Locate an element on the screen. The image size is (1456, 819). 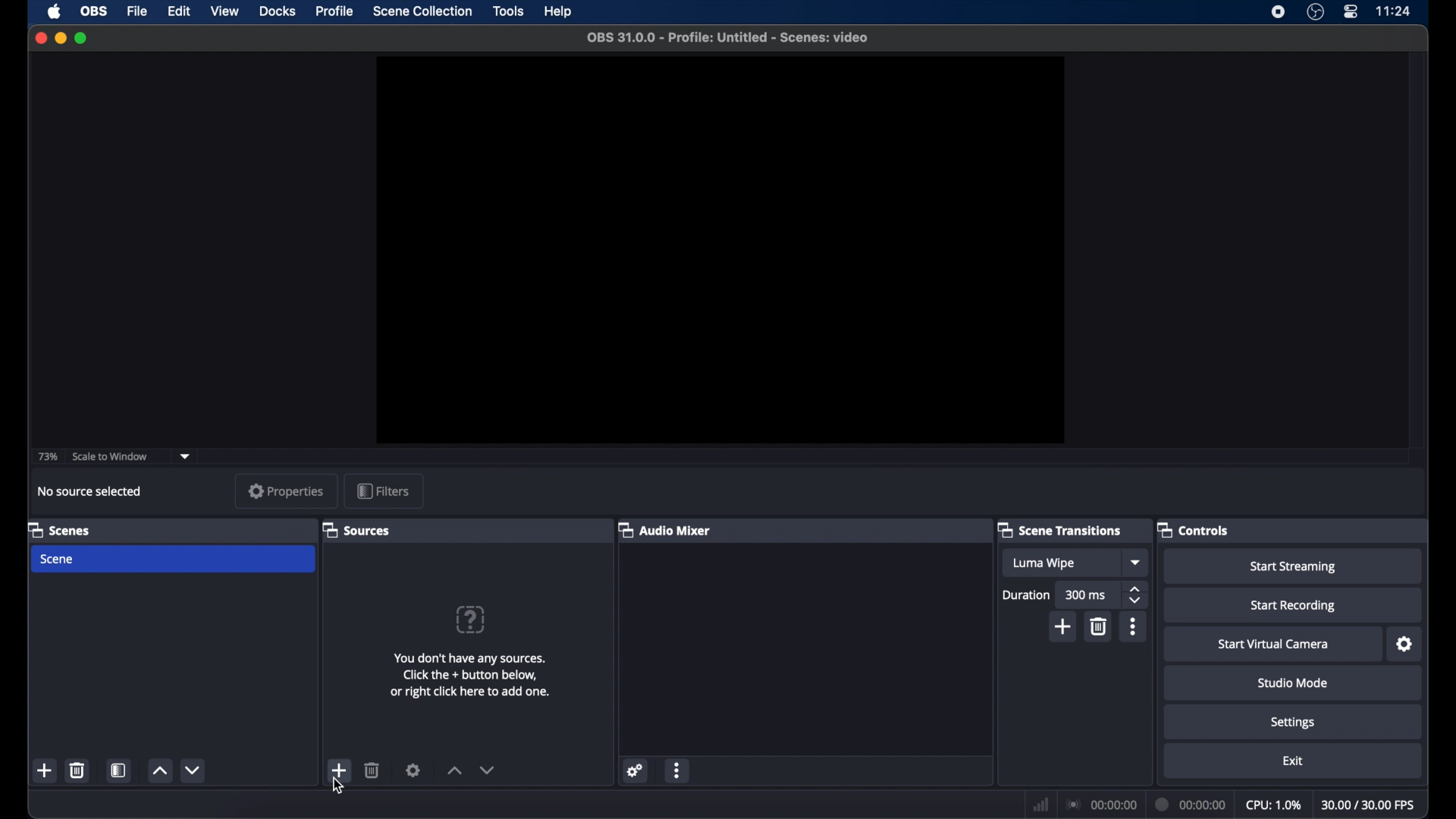
properties is located at coordinates (286, 491).